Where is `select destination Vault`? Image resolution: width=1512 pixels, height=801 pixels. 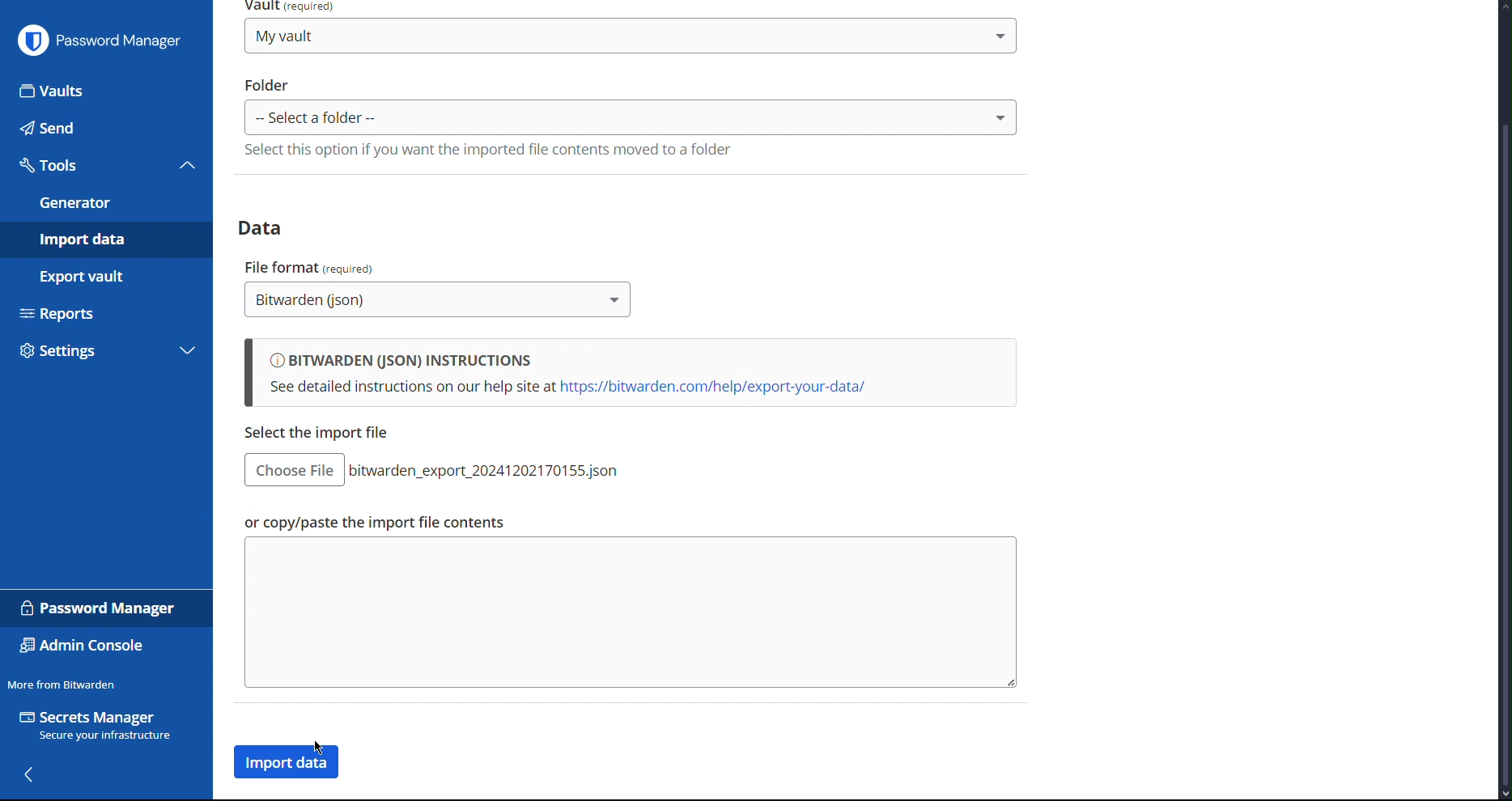
select destination Vault is located at coordinates (631, 36).